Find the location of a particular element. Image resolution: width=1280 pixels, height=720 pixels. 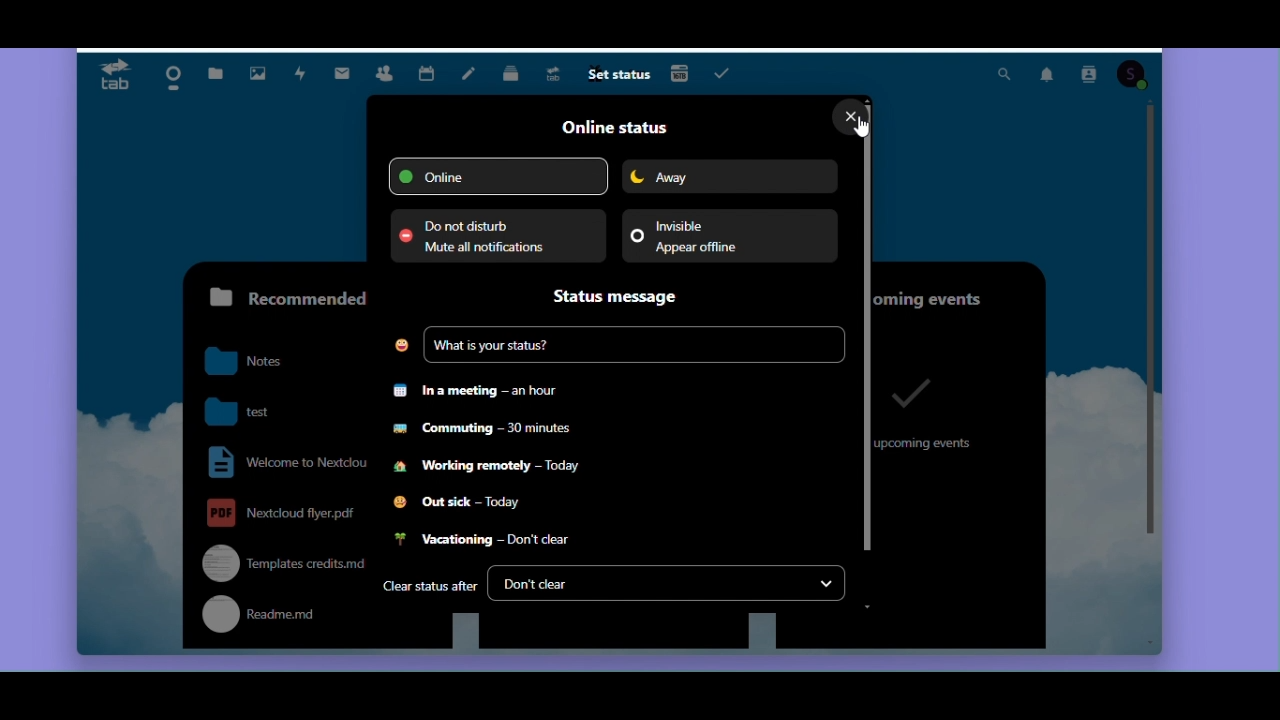

Mail  is located at coordinates (347, 70).